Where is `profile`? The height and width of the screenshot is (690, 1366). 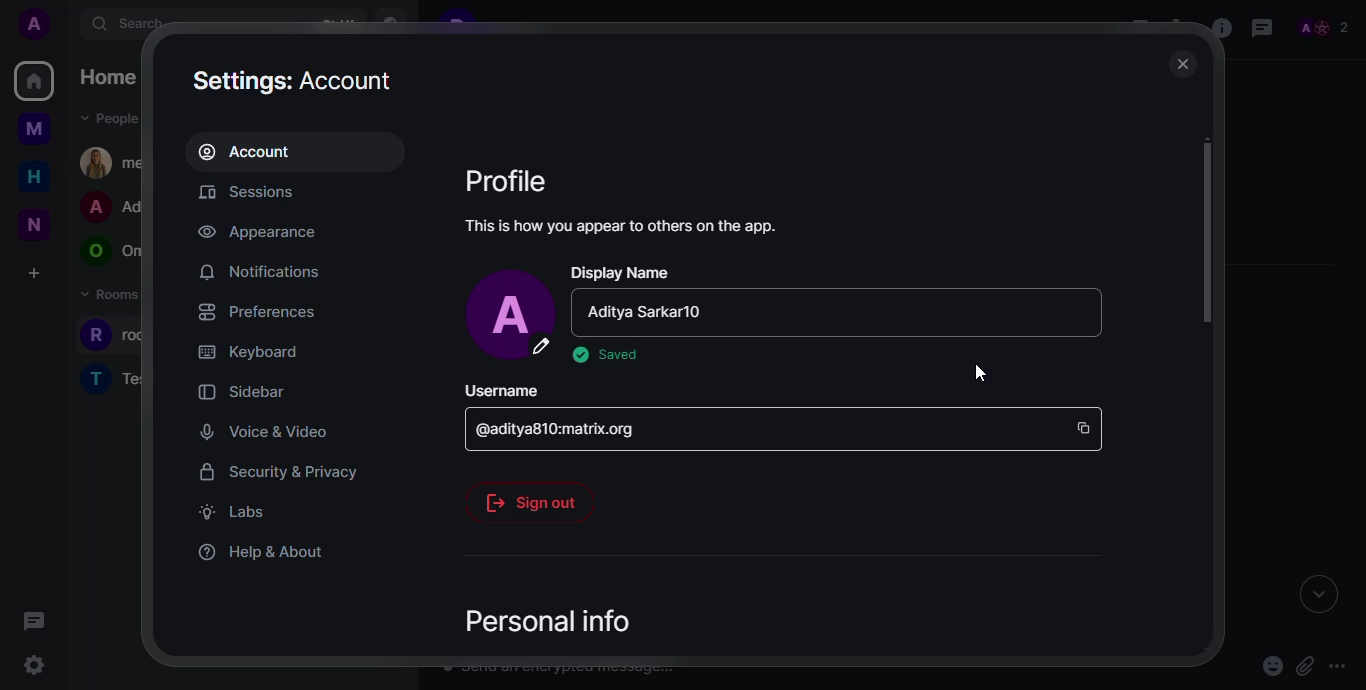
profile is located at coordinates (508, 180).